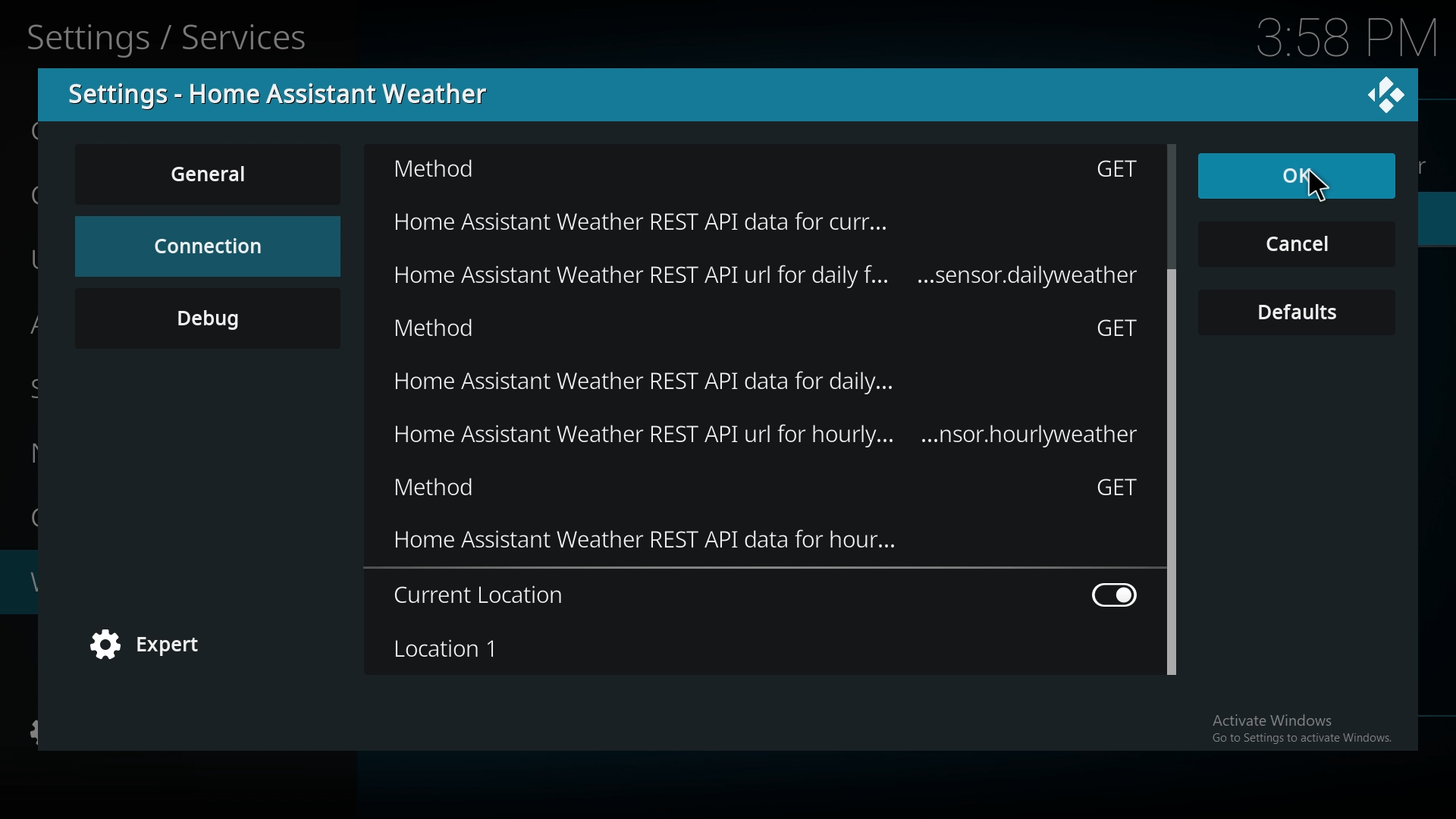 The image size is (1456, 819). What do you see at coordinates (208, 318) in the screenshot?
I see `debug` at bounding box center [208, 318].